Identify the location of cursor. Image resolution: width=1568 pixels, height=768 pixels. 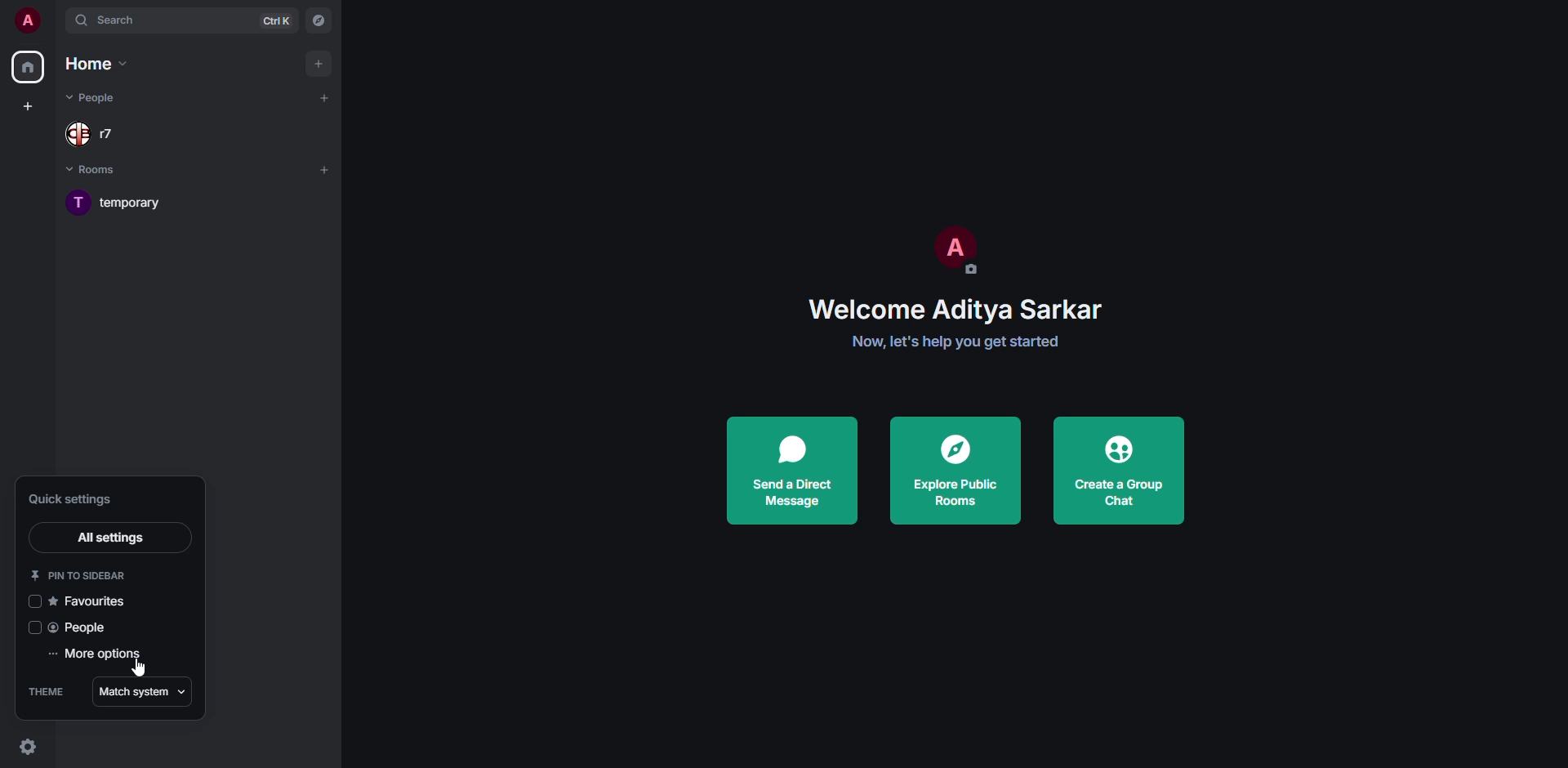
(140, 672).